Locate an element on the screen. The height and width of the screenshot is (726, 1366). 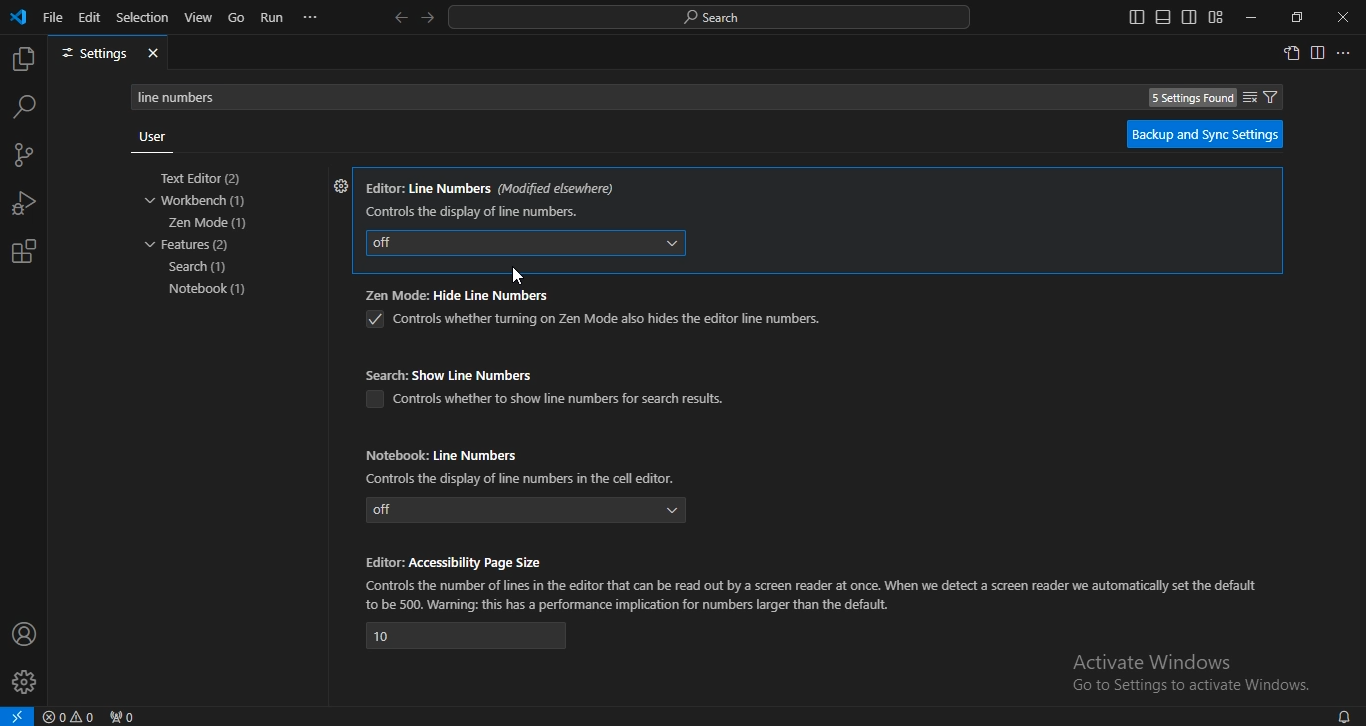
settings is located at coordinates (338, 188).